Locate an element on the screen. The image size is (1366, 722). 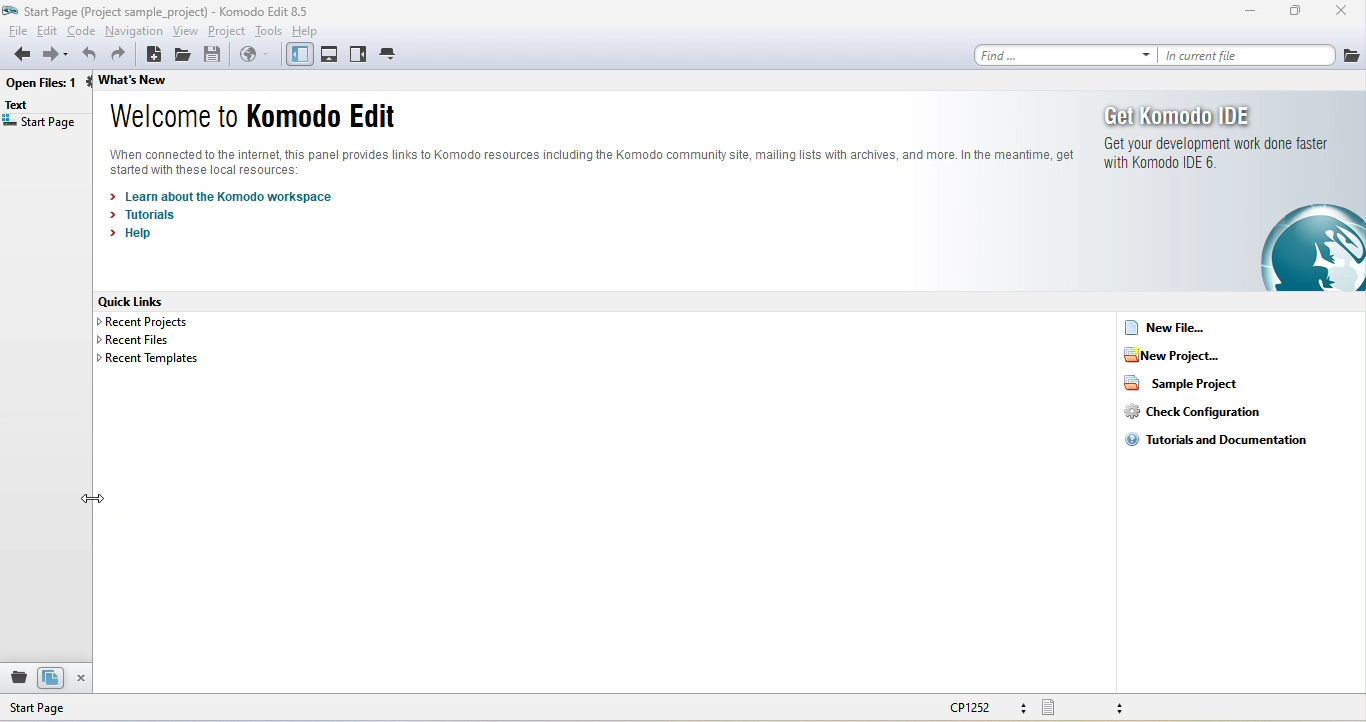
help is located at coordinates (138, 236).